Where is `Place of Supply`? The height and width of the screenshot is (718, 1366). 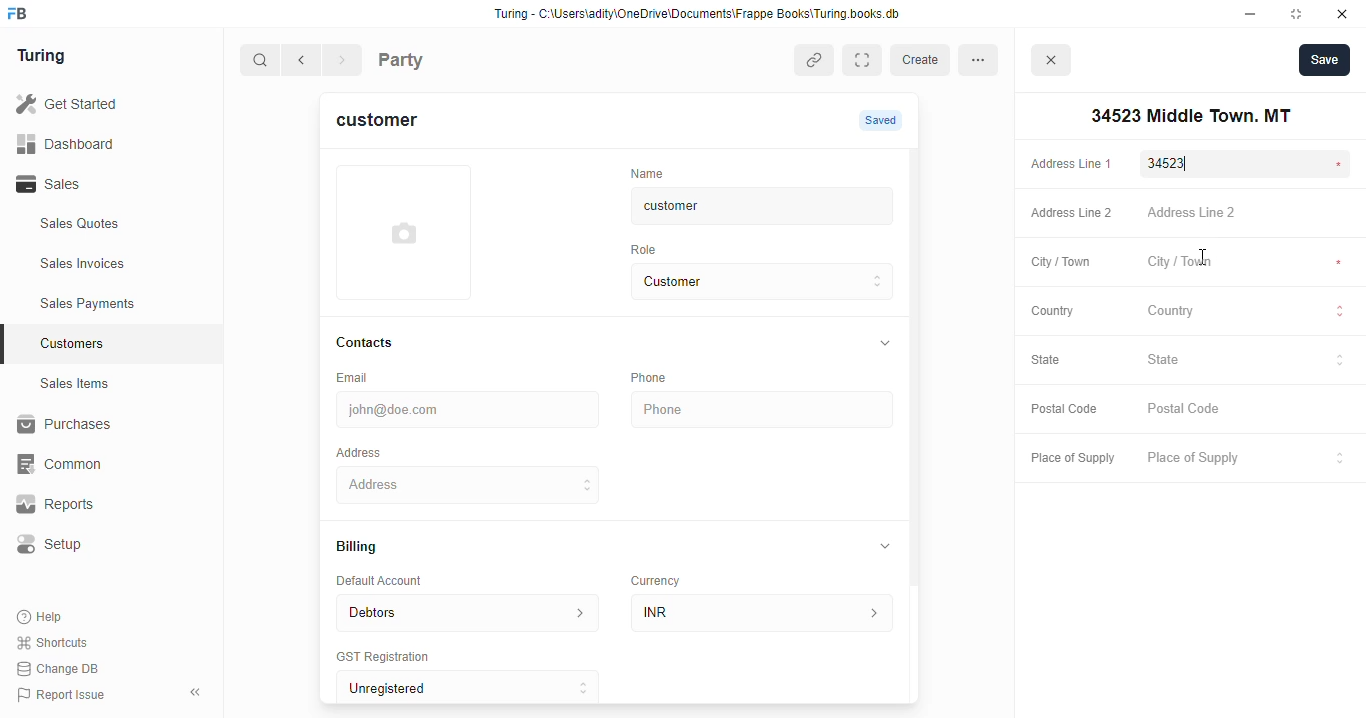 Place of Supply is located at coordinates (1068, 459).